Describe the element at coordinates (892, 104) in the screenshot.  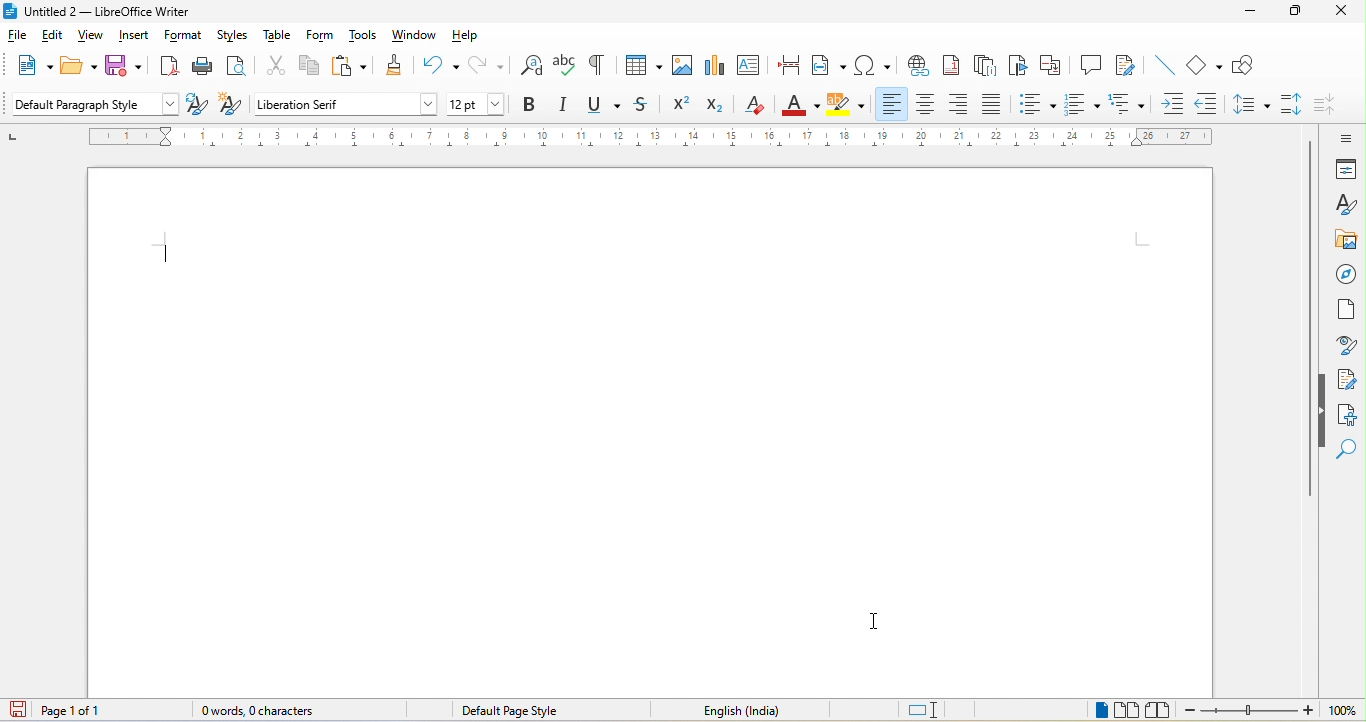
I see `align left` at that location.